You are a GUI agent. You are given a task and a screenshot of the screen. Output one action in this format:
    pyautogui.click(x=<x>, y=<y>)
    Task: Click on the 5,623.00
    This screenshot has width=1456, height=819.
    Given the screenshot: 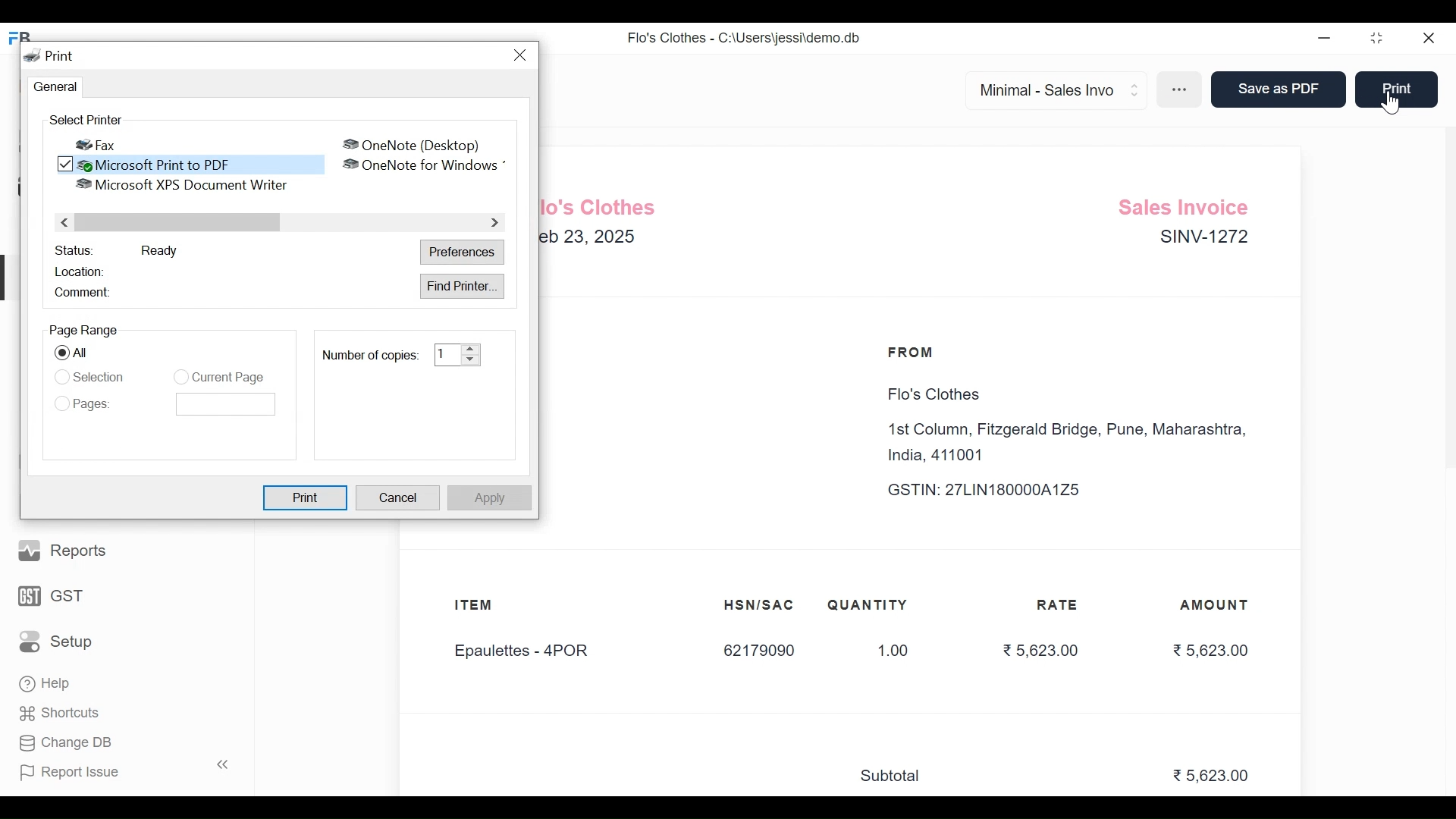 What is the action you would take?
    pyautogui.click(x=1039, y=649)
    